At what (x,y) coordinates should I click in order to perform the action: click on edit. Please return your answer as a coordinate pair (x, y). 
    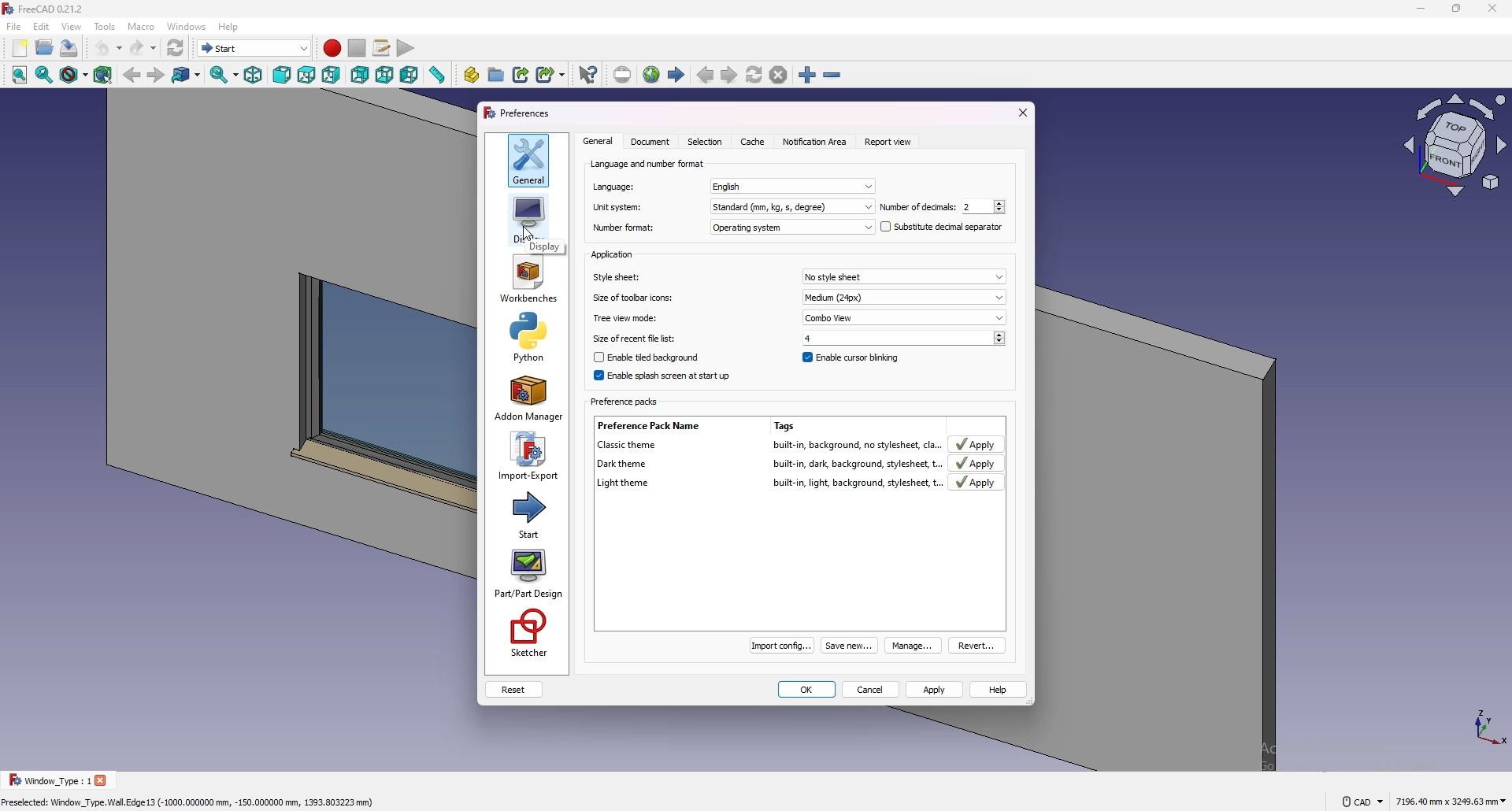
    Looking at the image, I should click on (42, 26).